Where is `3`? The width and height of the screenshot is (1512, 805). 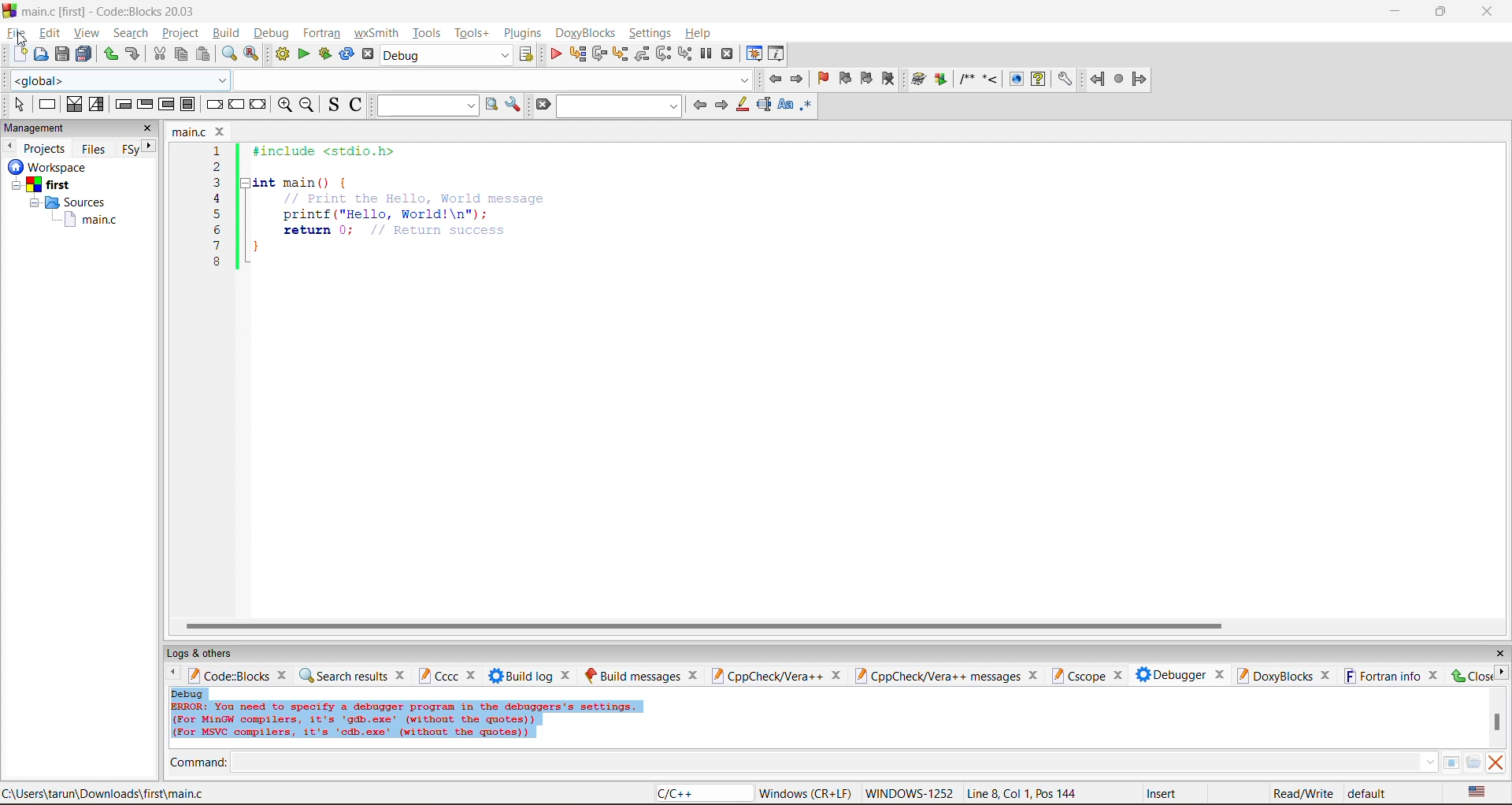
3 is located at coordinates (217, 182).